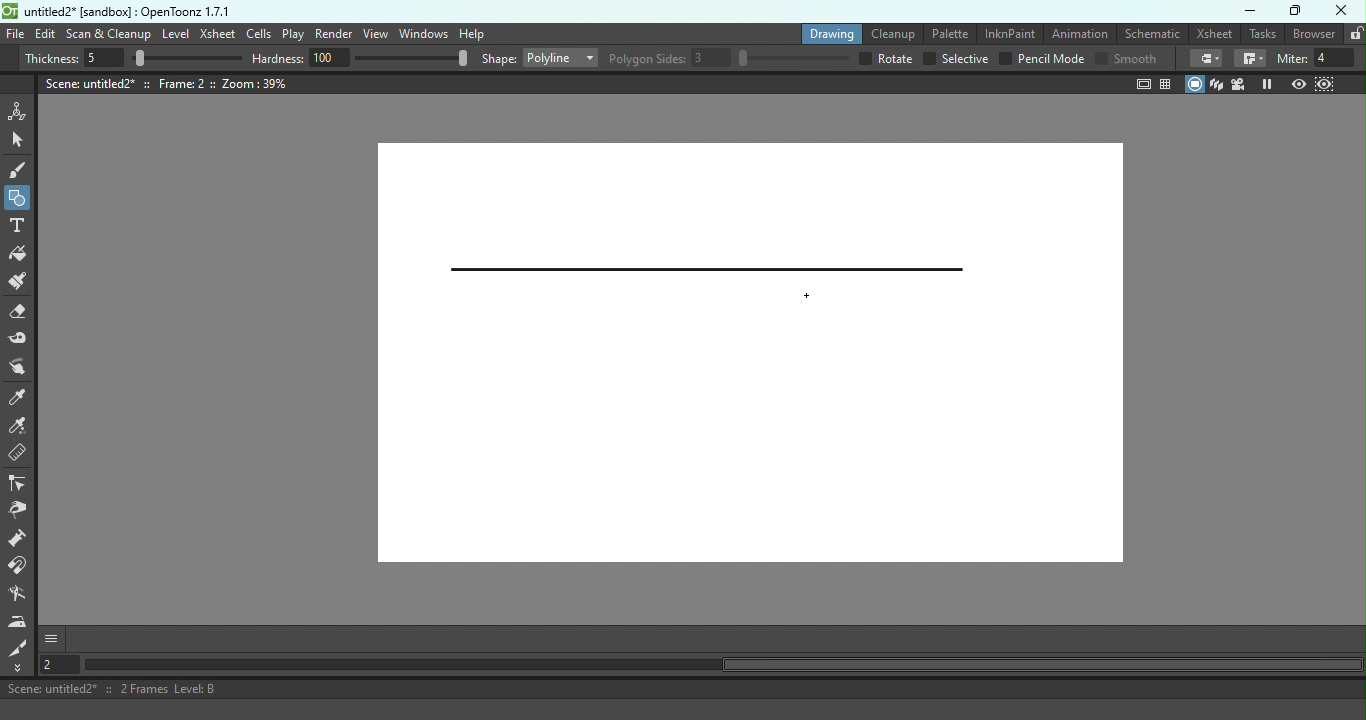 This screenshot has height=720, width=1366. Describe the element at coordinates (58, 666) in the screenshot. I see `Set the current frame` at that location.